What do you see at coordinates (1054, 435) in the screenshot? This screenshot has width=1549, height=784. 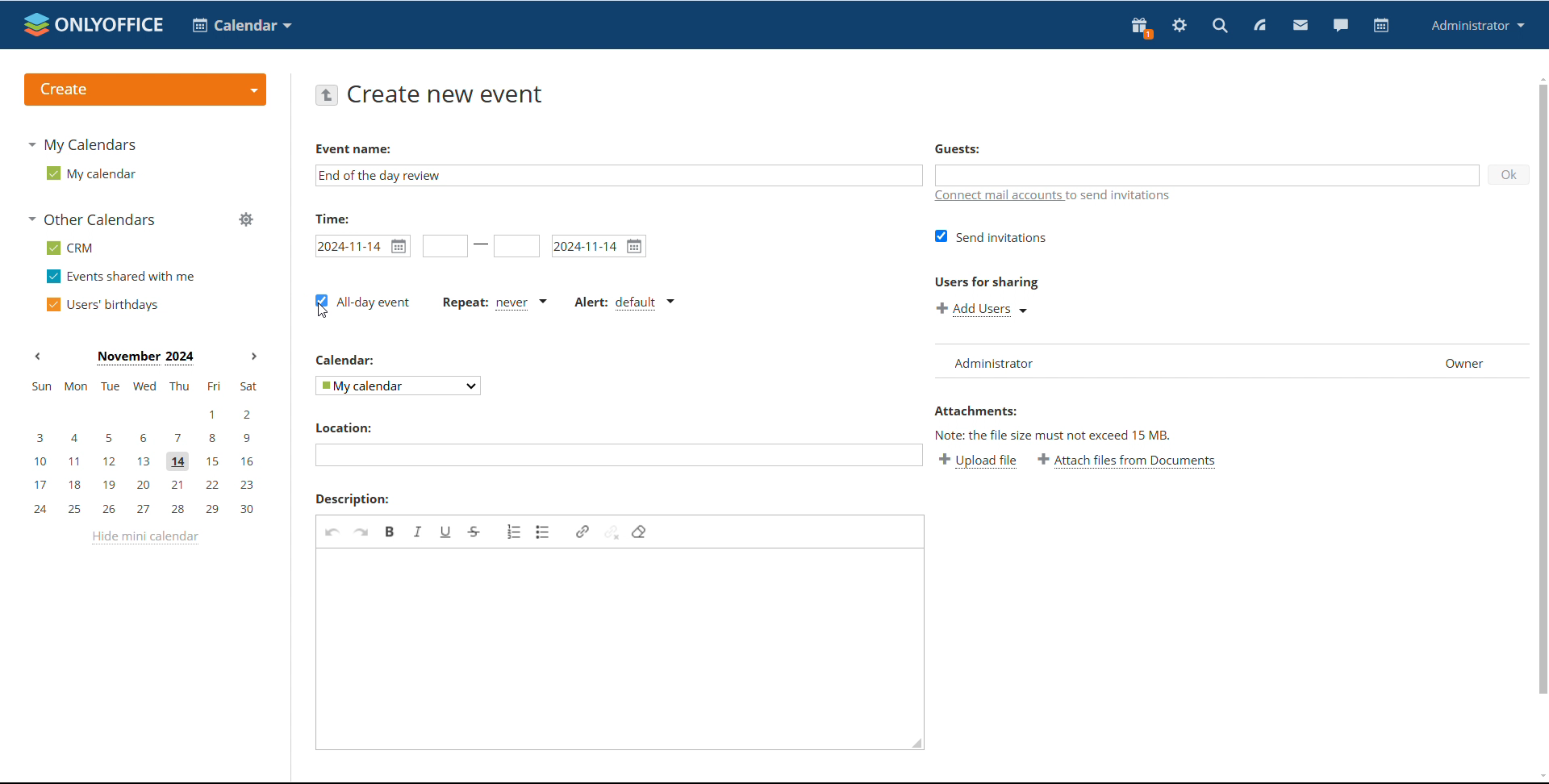 I see `Note: the file size must not exceed 15 mb` at bounding box center [1054, 435].